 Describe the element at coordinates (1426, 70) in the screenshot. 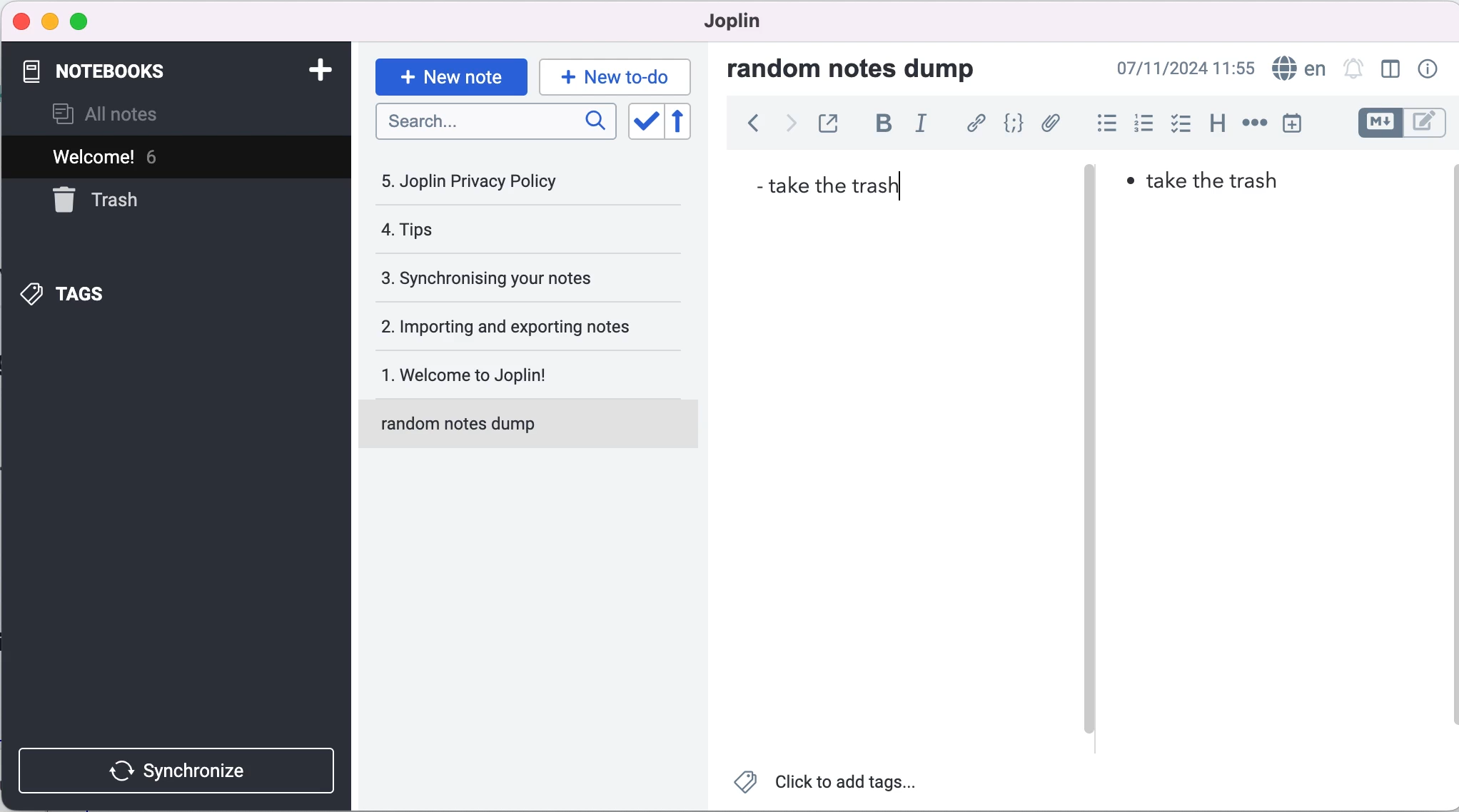

I see `note properties` at that location.